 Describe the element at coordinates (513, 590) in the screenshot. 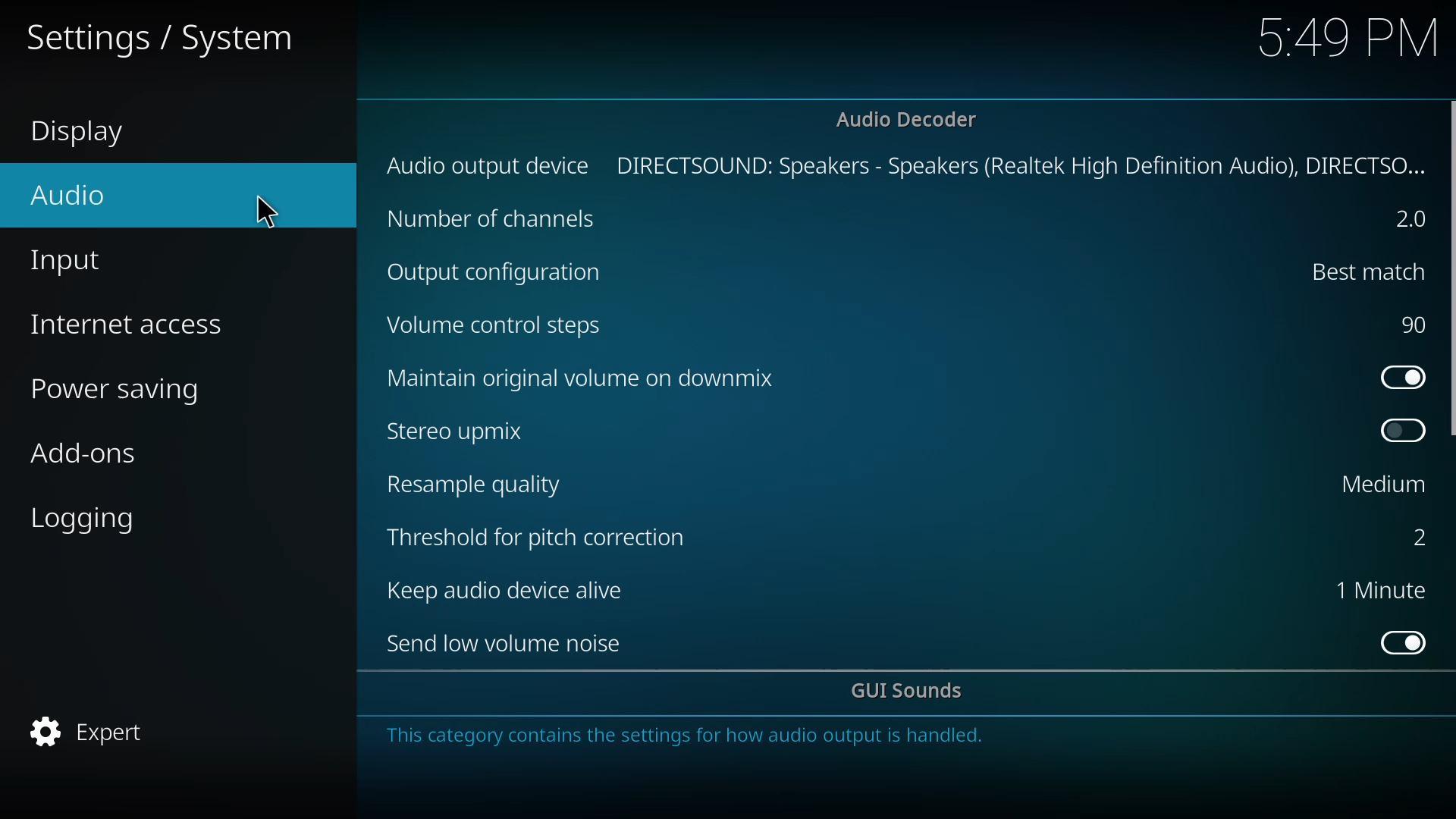

I see `keep audio device alive` at that location.